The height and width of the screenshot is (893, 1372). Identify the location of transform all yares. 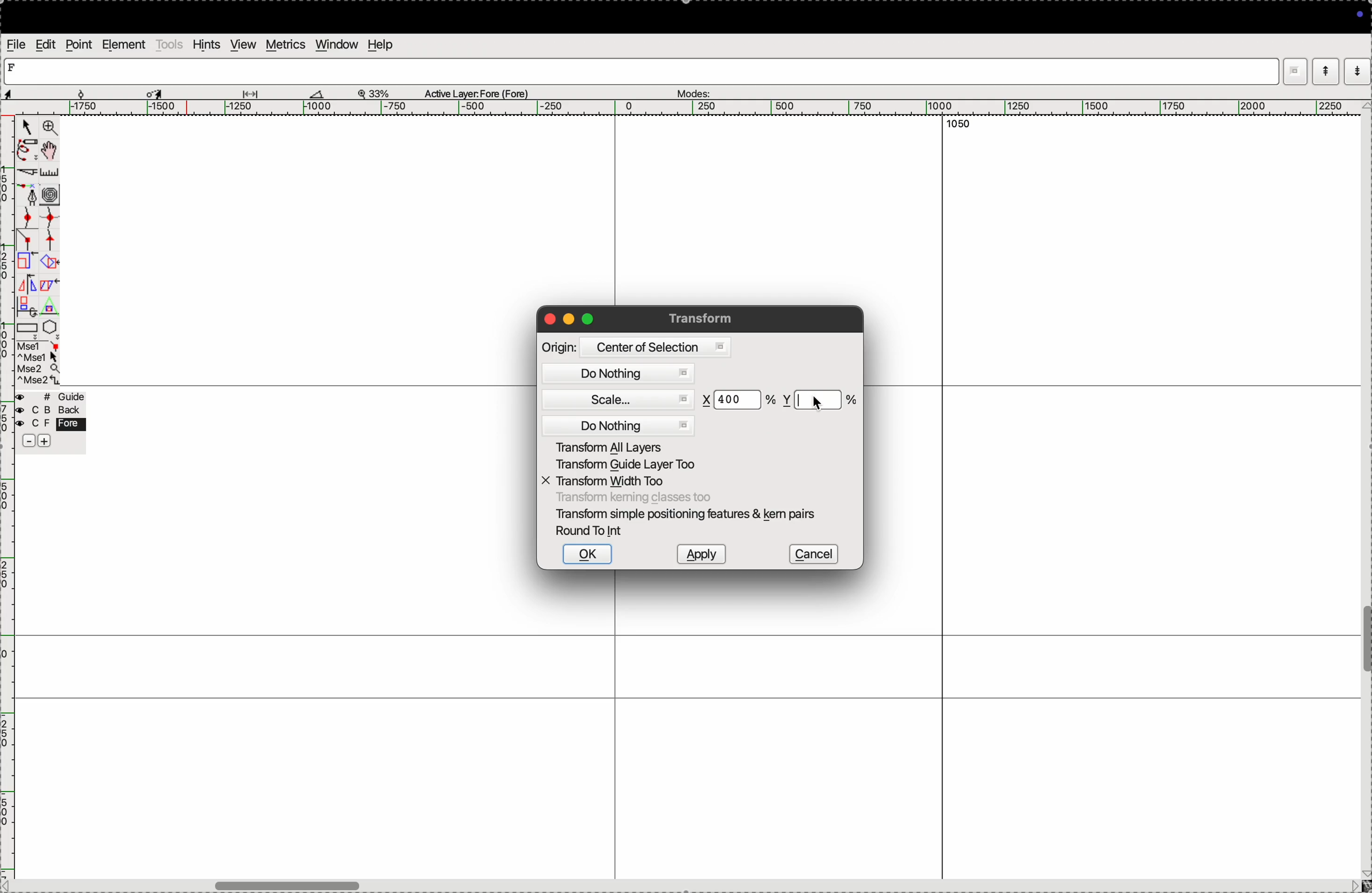
(624, 446).